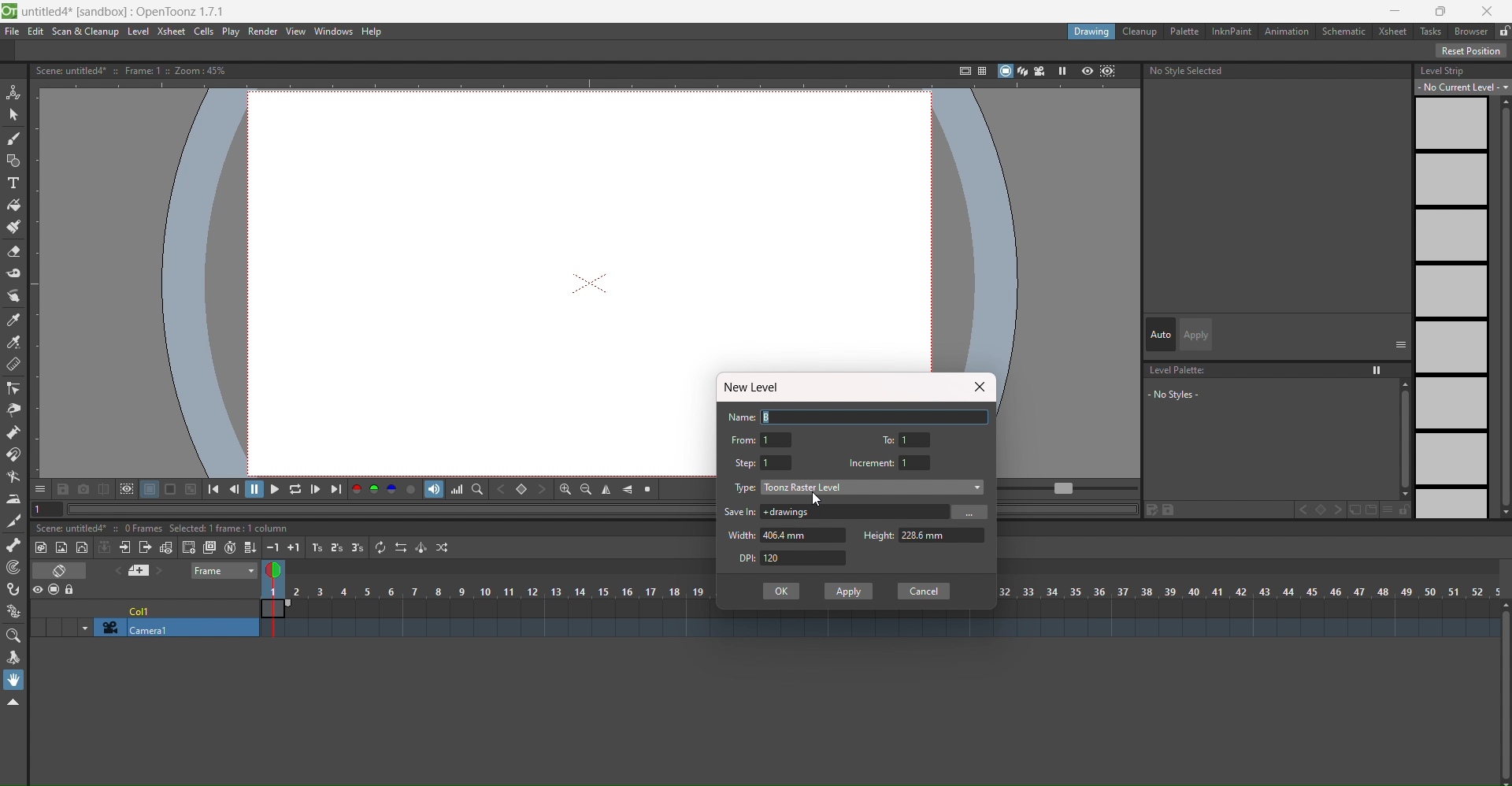 This screenshot has height=786, width=1512. Describe the element at coordinates (1087, 72) in the screenshot. I see `preview` at that location.